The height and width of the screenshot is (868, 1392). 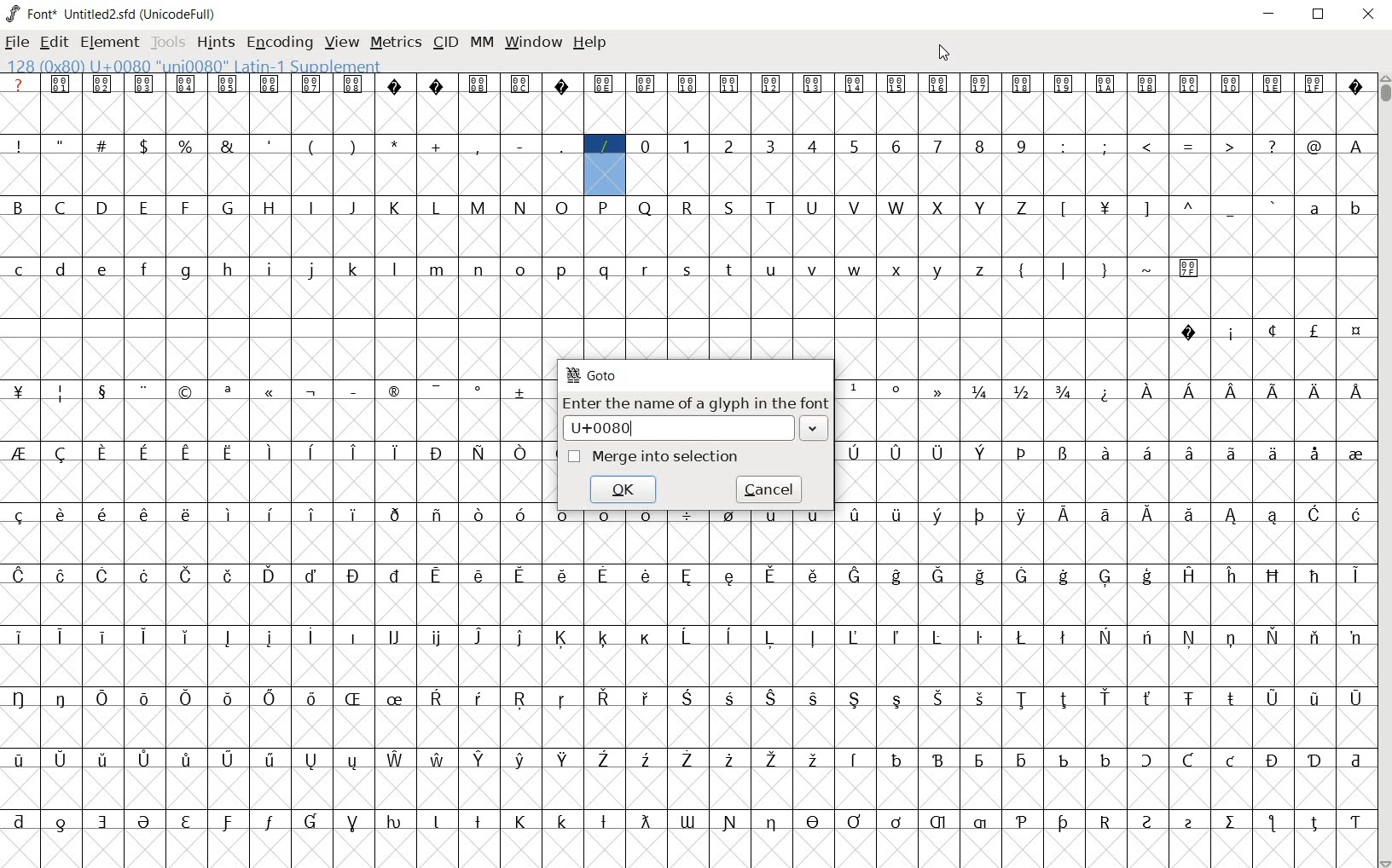 What do you see at coordinates (395, 636) in the screenshot?
I see `glyph` at bounding box center [395, 636].